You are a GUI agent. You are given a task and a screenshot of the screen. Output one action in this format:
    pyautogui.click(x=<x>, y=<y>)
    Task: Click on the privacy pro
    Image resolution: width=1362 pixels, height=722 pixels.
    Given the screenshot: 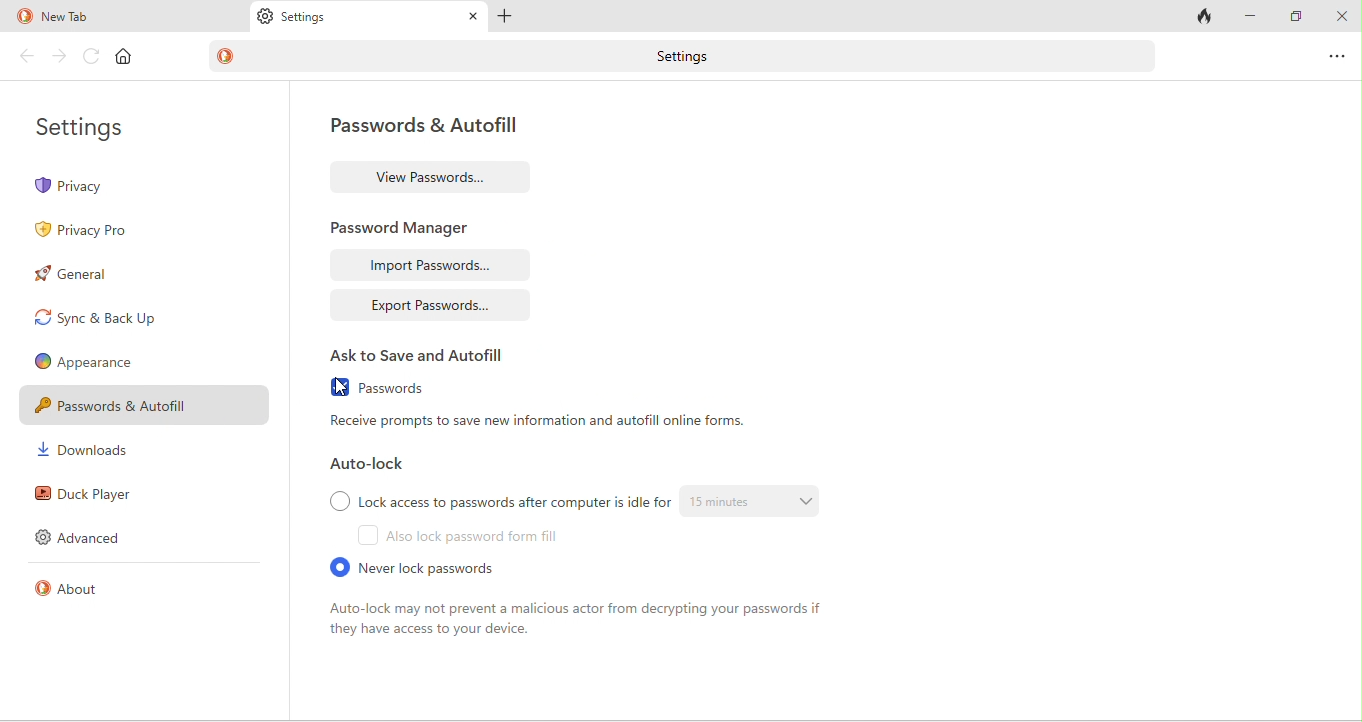 What is the action you would take?
    pyautogui.click(x=86, y=228)
    